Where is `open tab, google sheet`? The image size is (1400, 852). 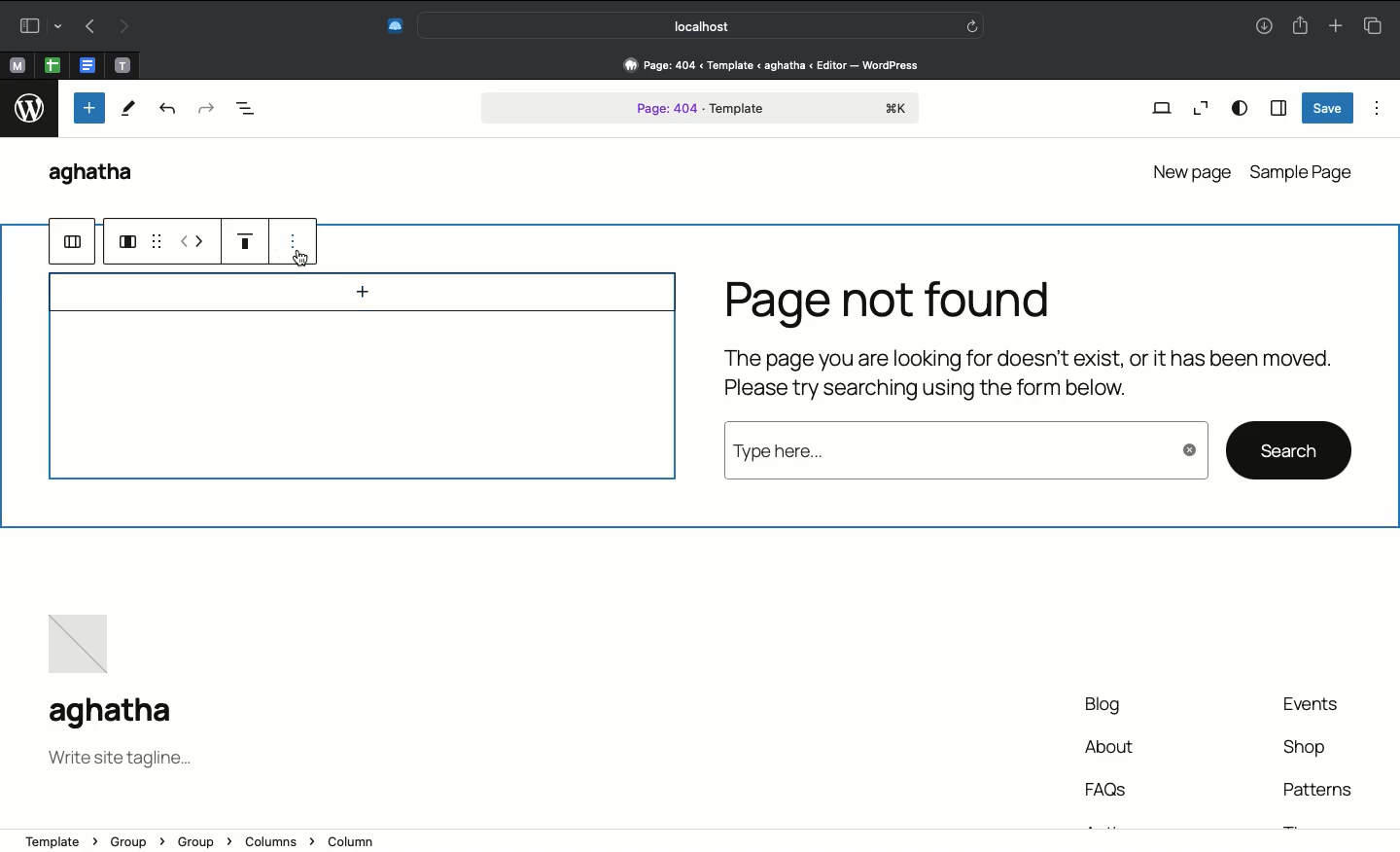
open tab, google sheet is located at coordinates (51, 65).